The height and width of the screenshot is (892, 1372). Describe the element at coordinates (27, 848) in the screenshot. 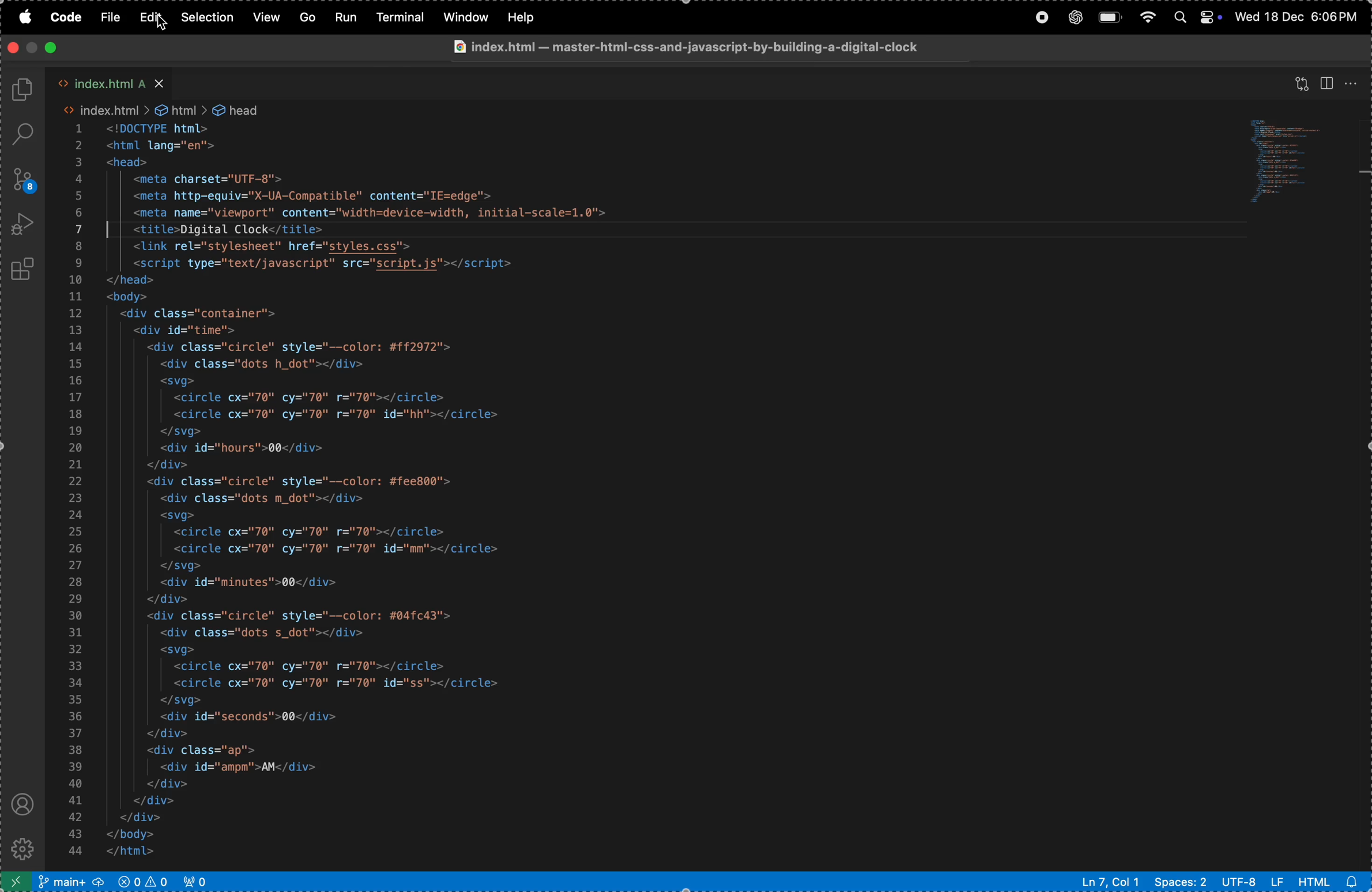

I see `settings` at that location.